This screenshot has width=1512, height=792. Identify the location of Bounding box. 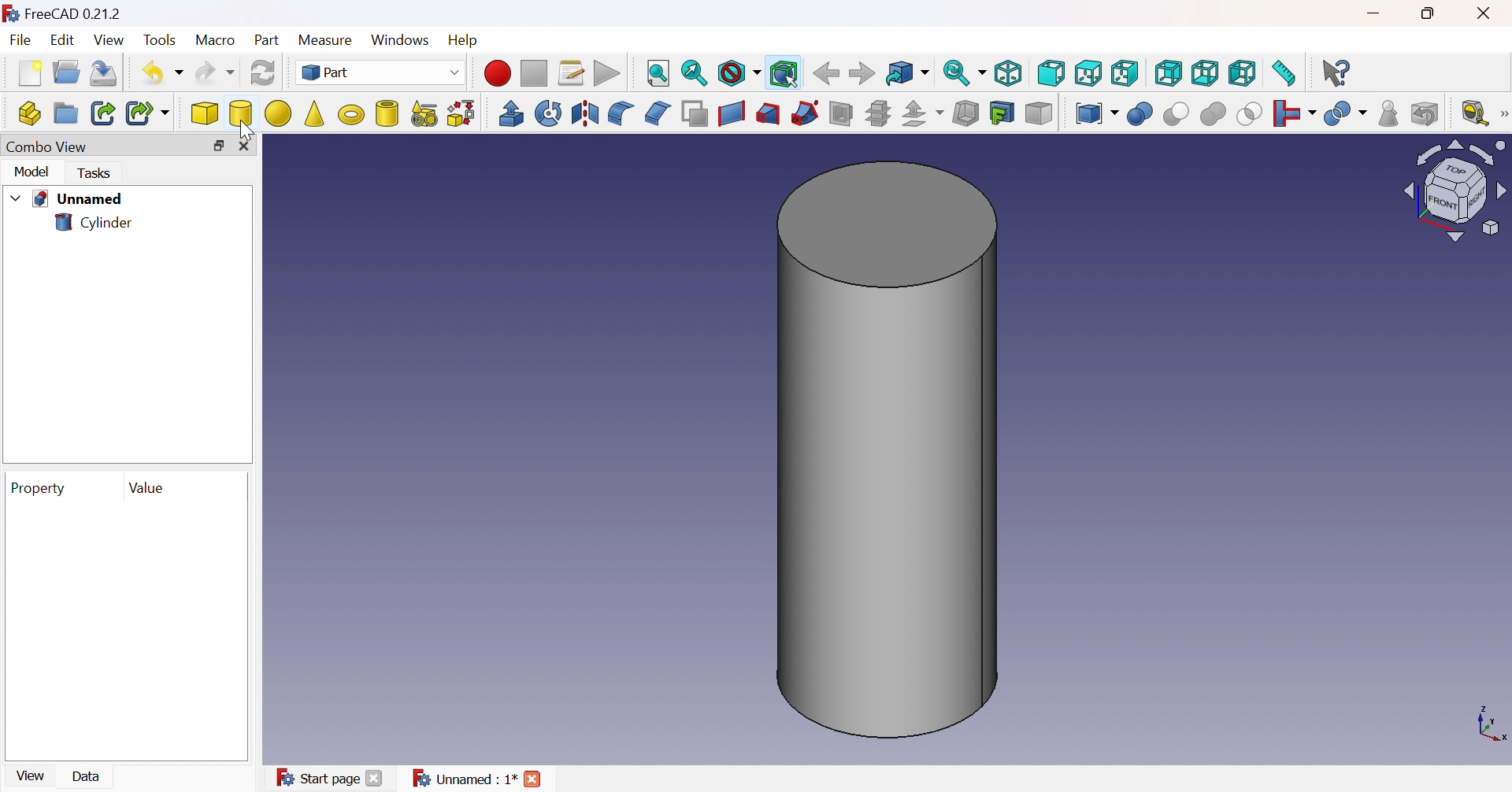
(785, 75).